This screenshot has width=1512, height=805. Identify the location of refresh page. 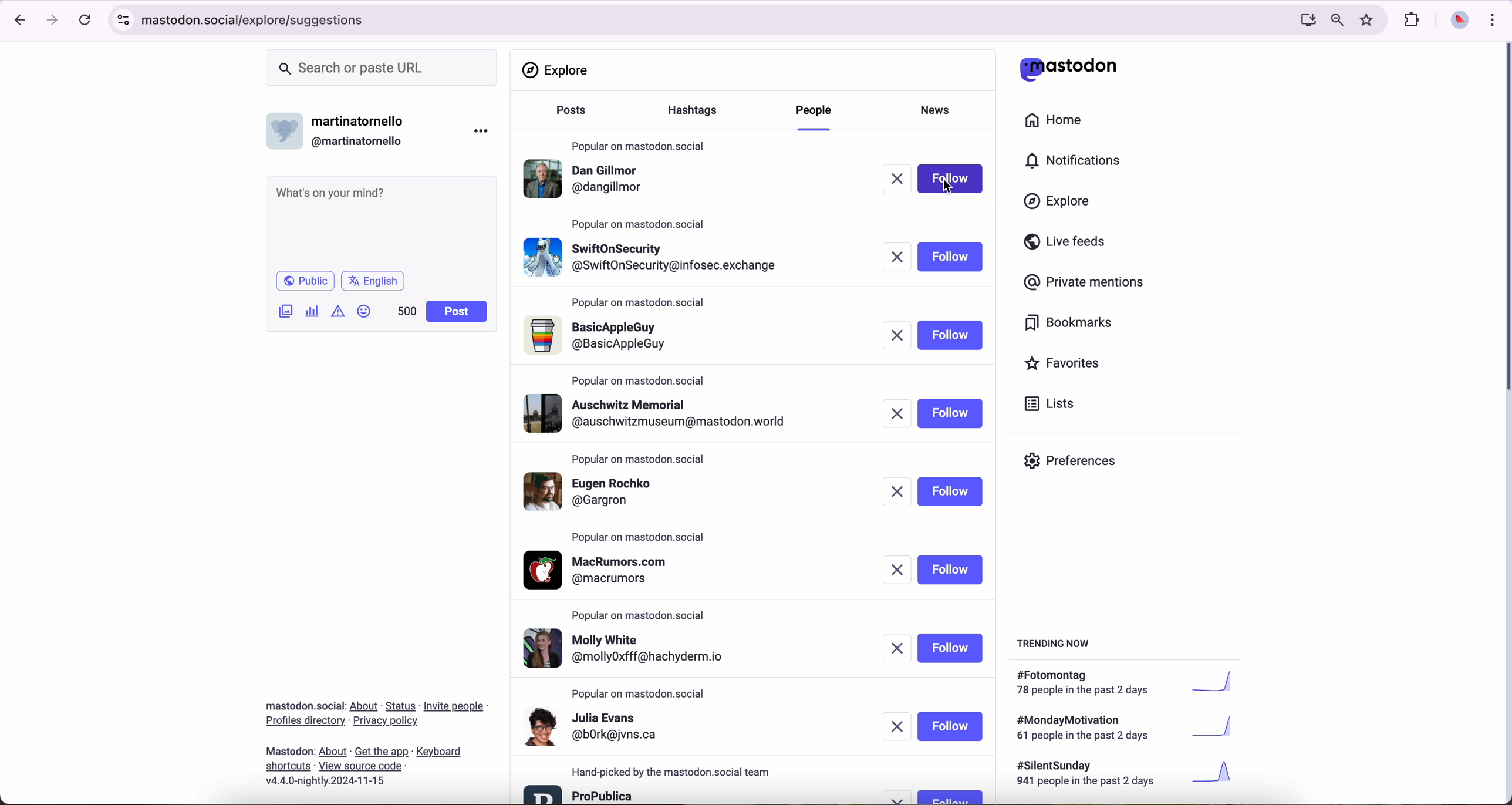
(86, 21).